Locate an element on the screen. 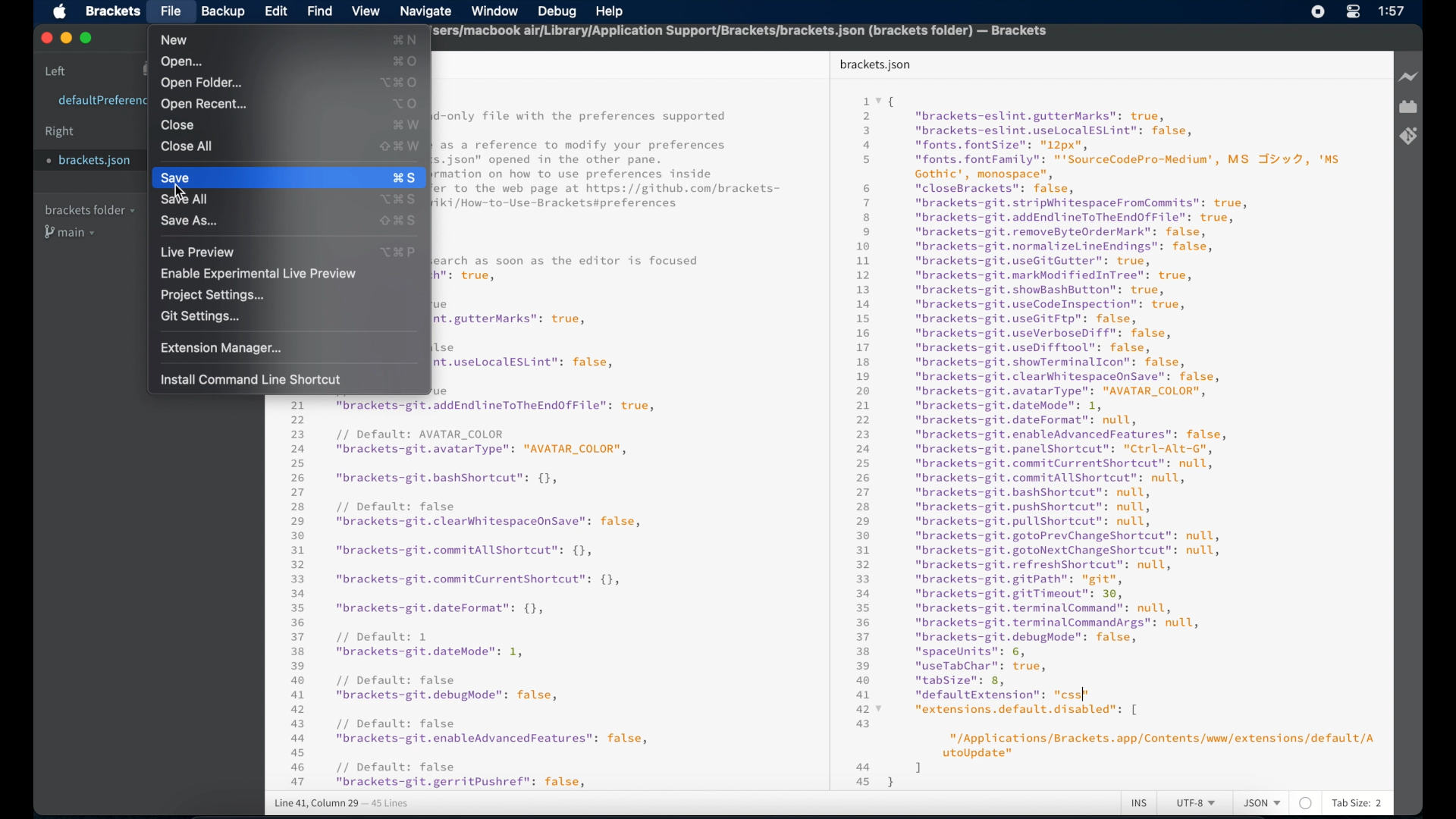 The height and width of the screenshot is (819, 1456). tab size: 2 is located at coordinates (1357, 804).